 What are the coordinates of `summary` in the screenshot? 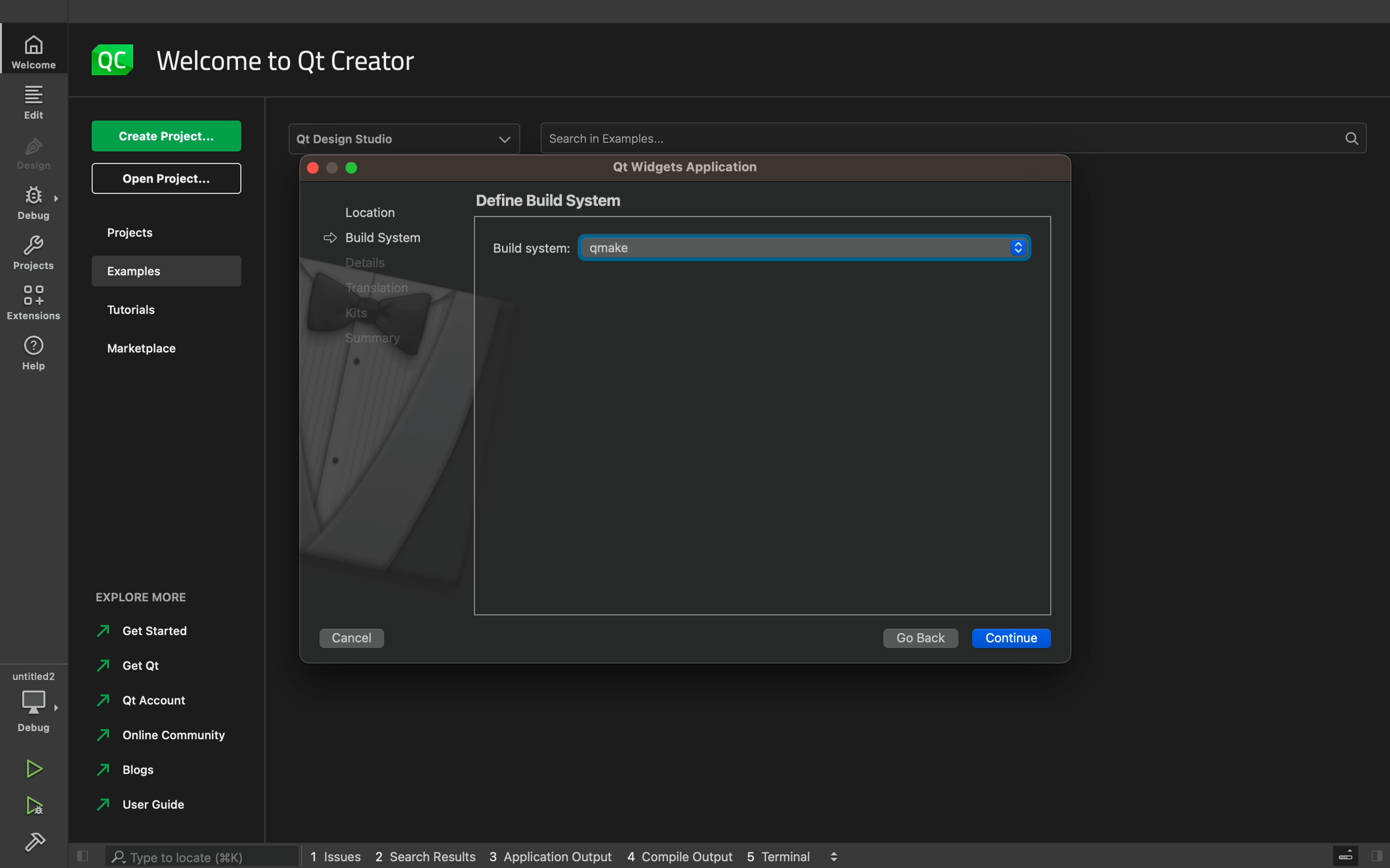 It's located at (381, 339).